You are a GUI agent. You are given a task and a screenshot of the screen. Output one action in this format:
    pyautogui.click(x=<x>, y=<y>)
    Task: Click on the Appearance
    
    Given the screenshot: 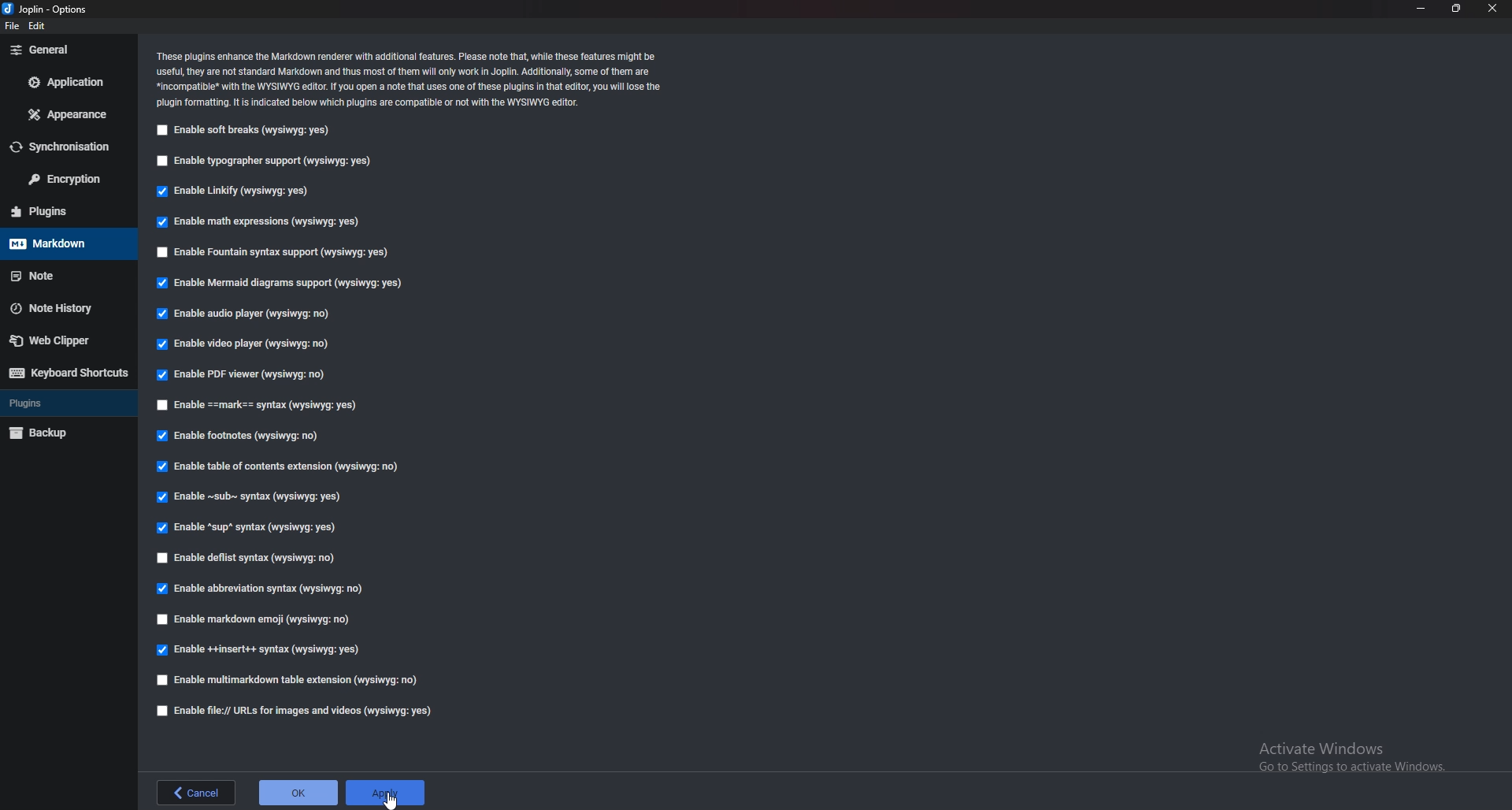 What is the action you would take?
    pyautogui.click(x=70, y=113)
    